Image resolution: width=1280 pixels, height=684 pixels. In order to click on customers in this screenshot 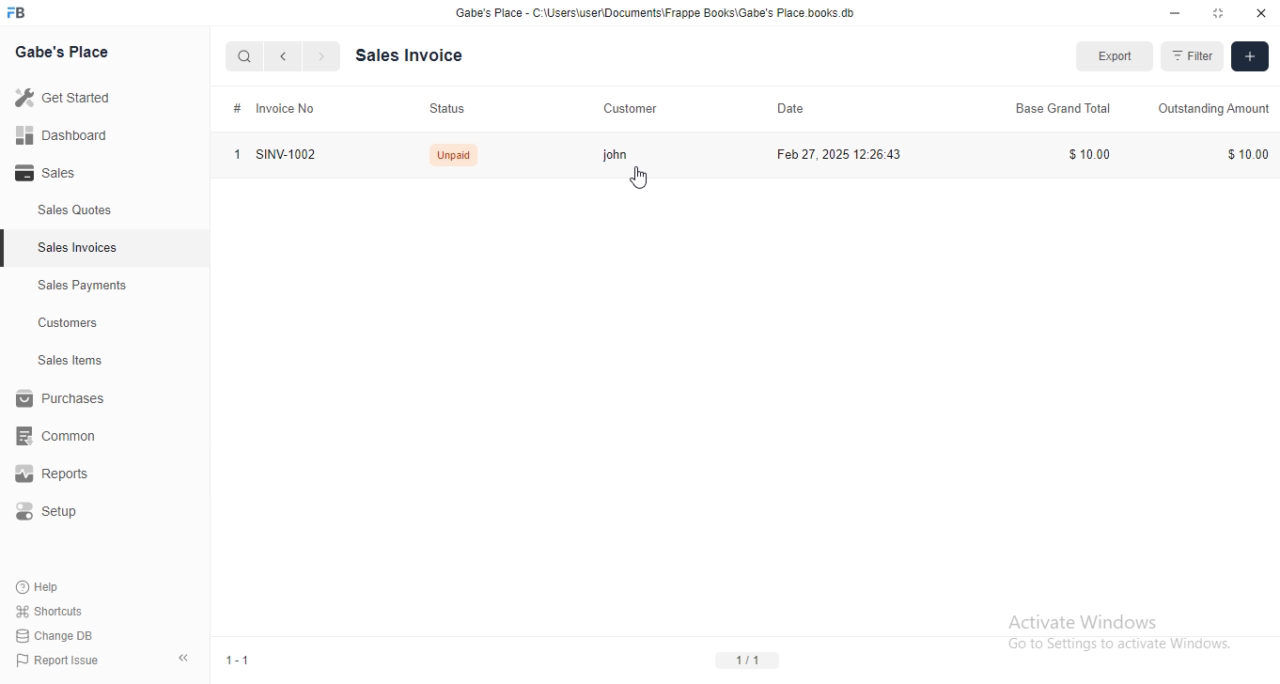, I will do `click(69, 323)`.